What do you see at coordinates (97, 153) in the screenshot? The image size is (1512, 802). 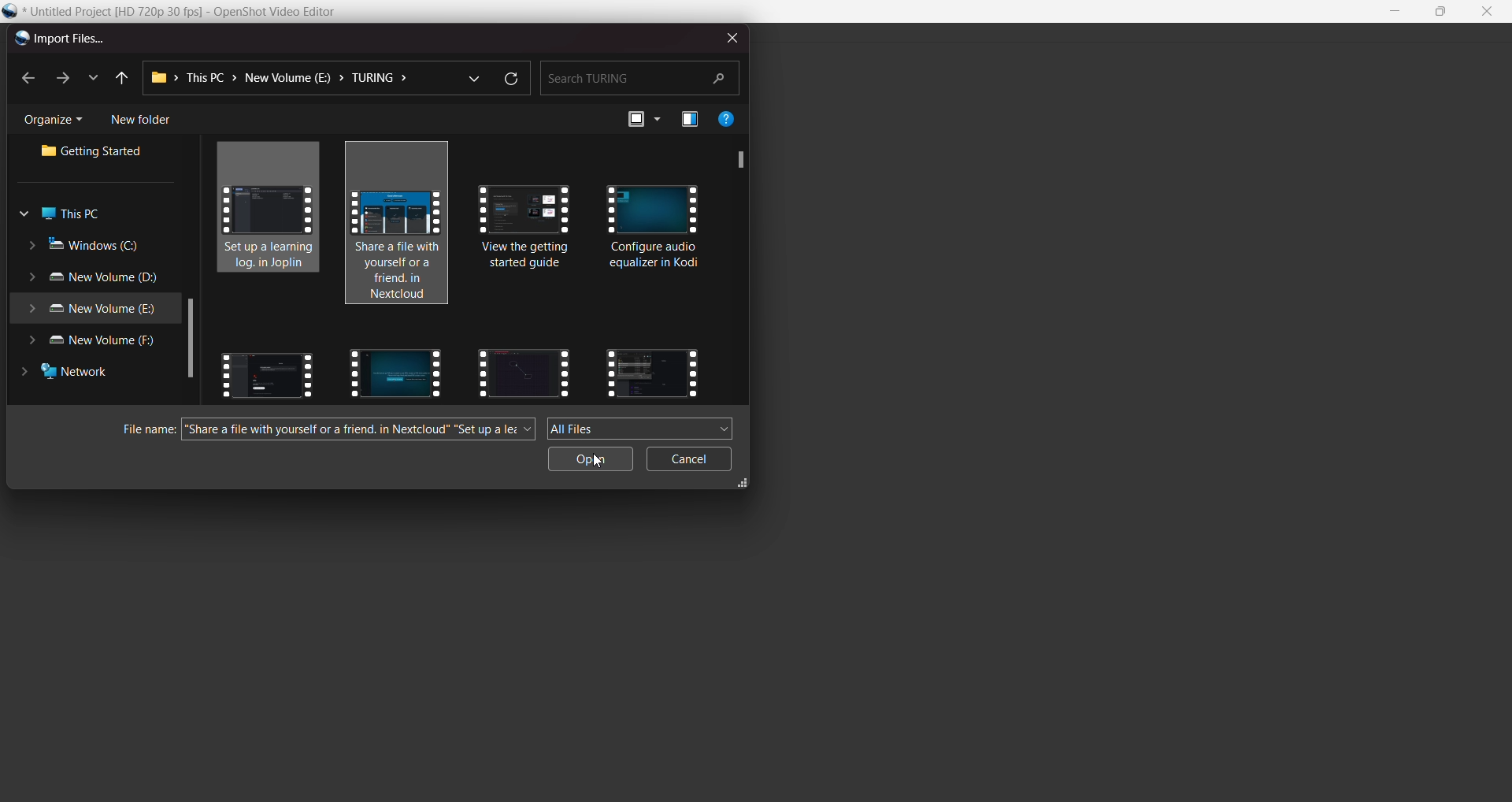 I see `getting started` at bounding box center [97, 153].